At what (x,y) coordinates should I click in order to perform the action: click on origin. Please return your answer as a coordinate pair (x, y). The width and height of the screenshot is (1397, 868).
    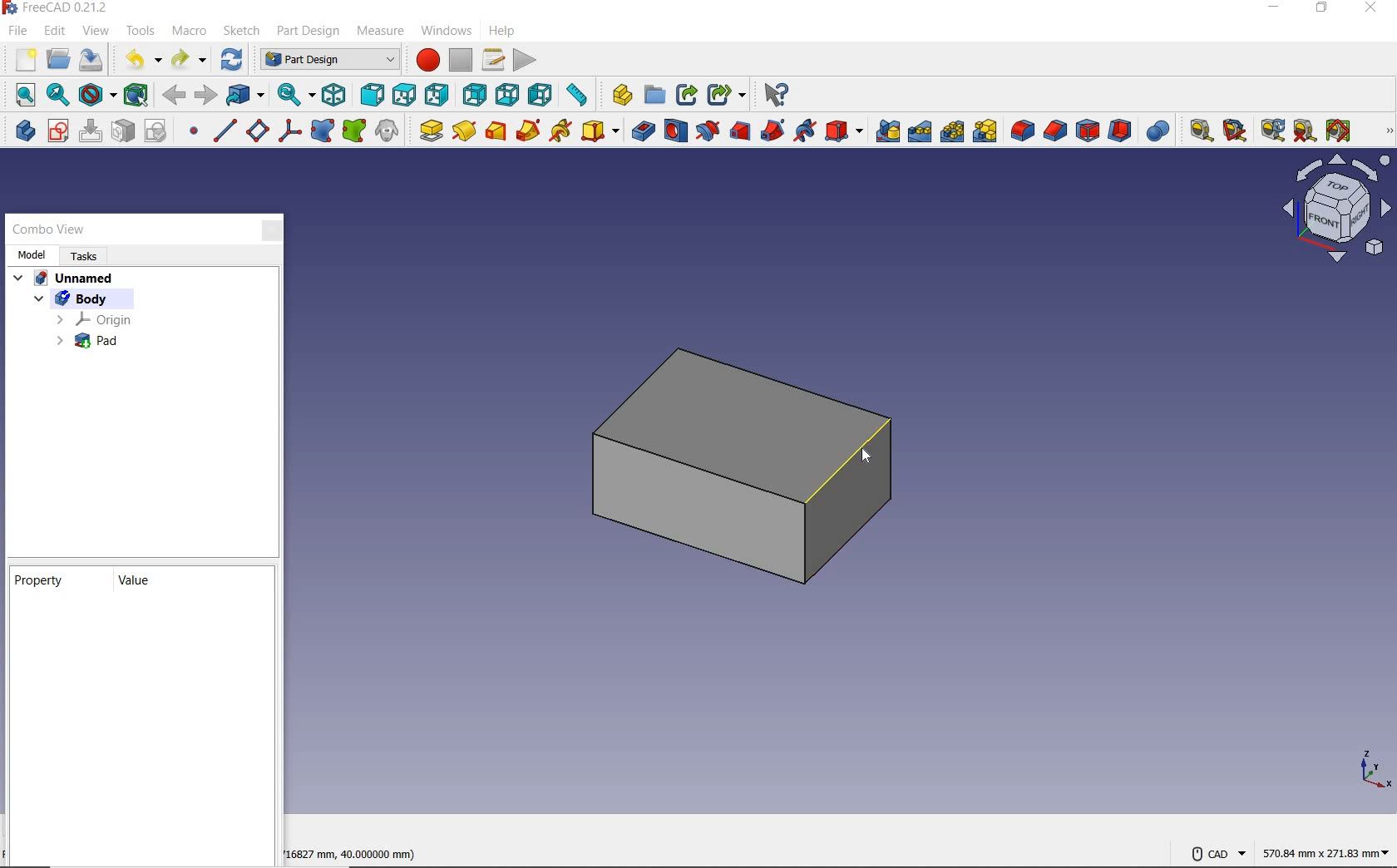
    Looking at the image, I should click on (95, 318).